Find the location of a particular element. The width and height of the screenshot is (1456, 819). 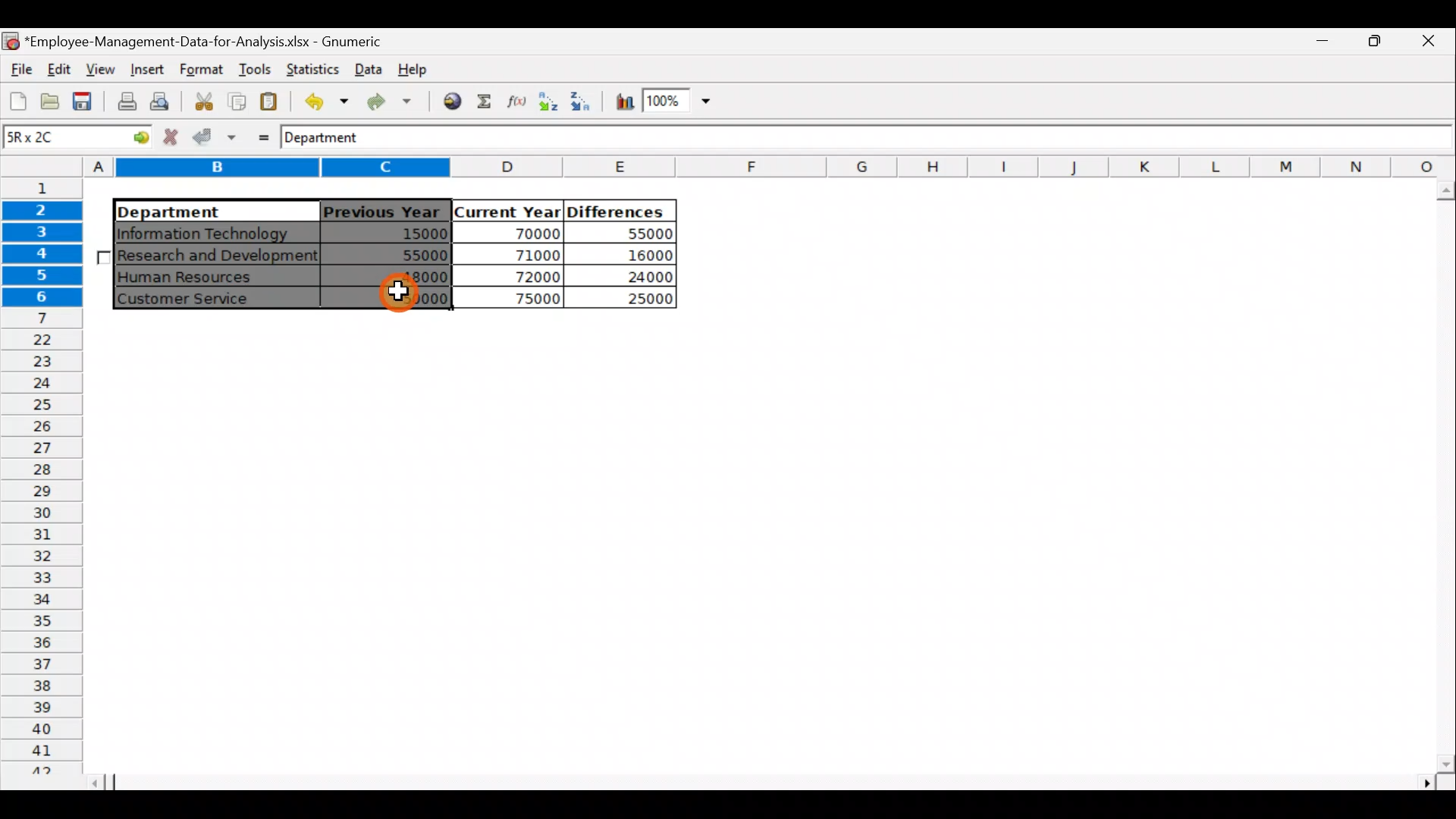

Redo undone action is located at coordinates (394, 102).